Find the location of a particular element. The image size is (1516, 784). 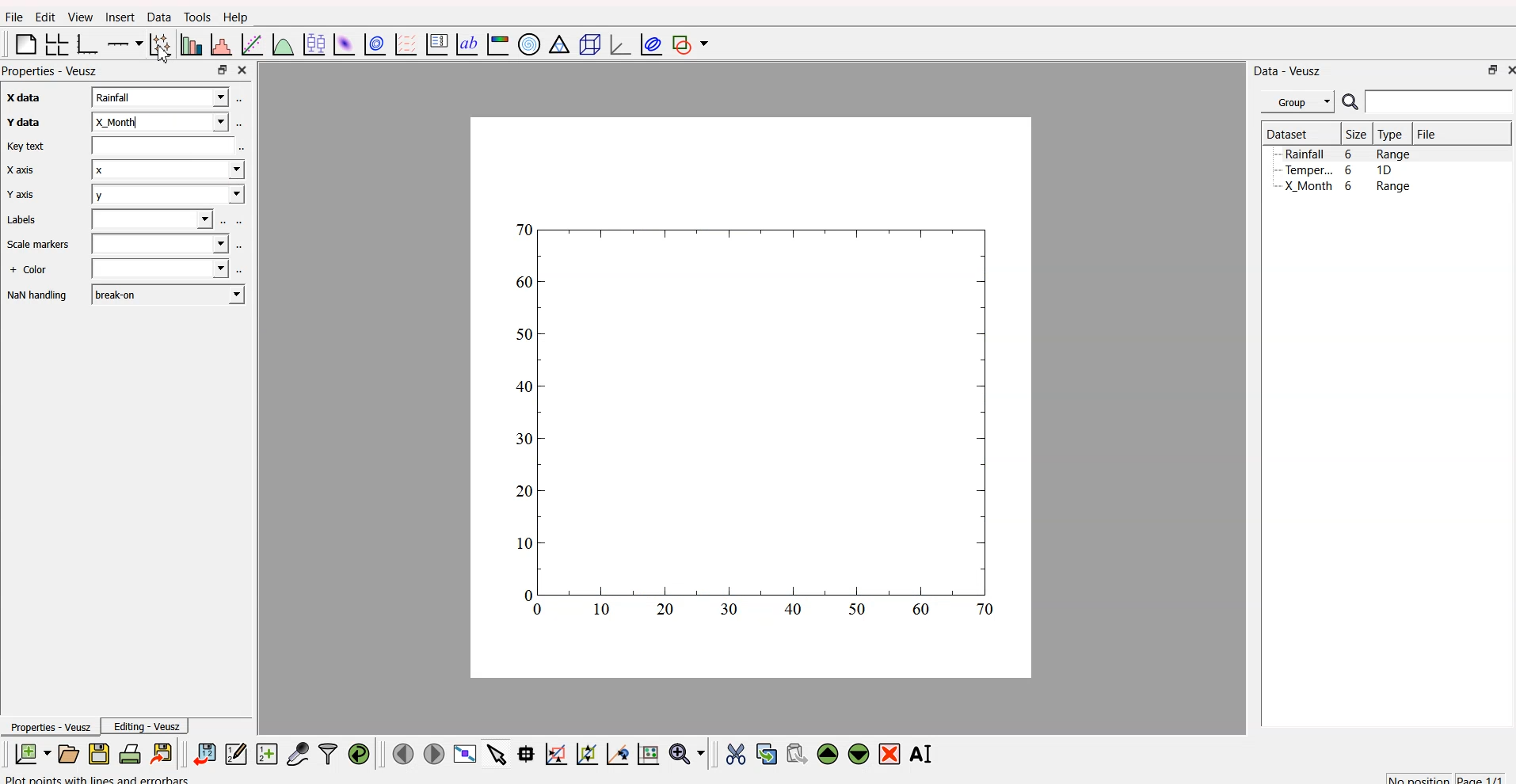

Insert is located at coordinates (119, 17).